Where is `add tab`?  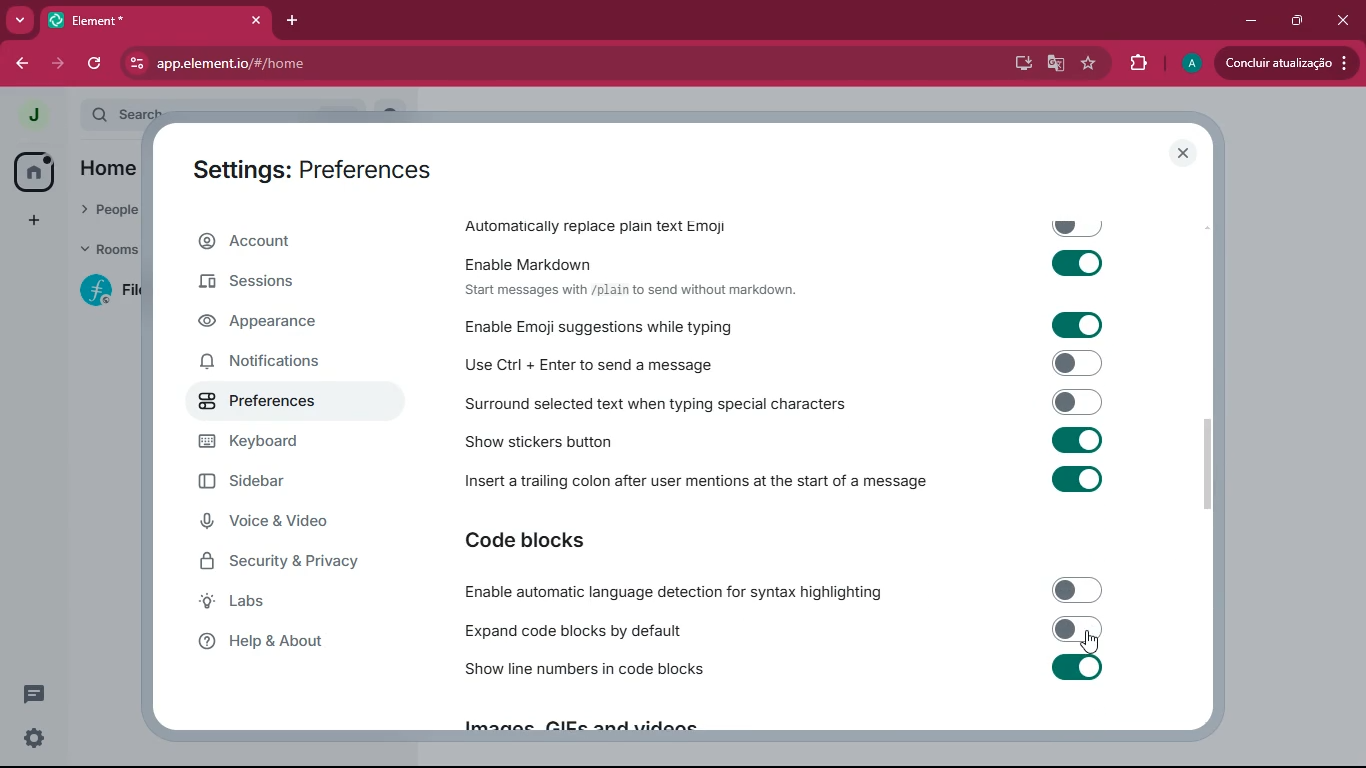 add tab is located at coordinates (288, 24).